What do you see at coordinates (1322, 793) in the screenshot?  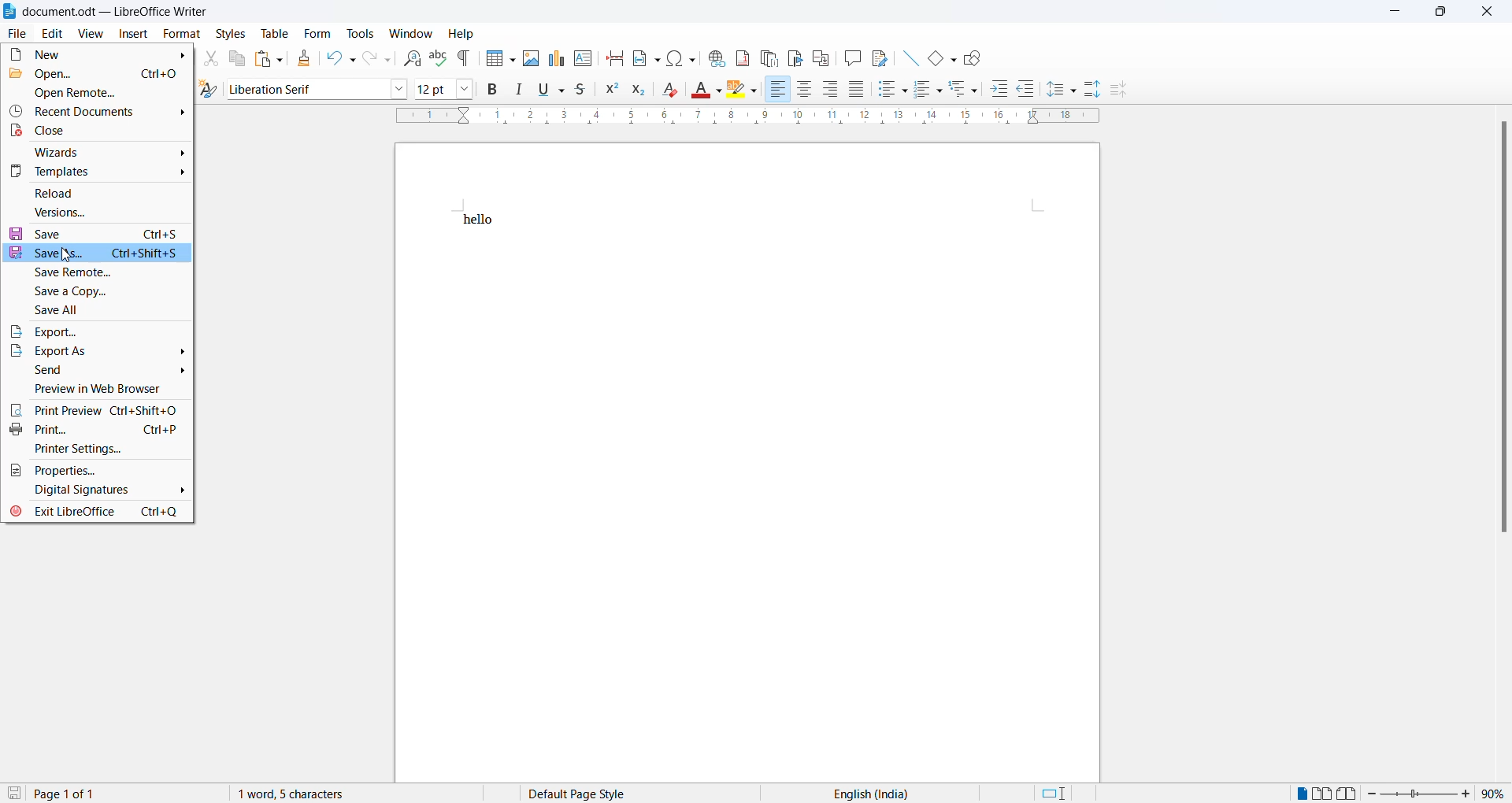 I see `Multipage view` at bounding box center [1322, 793].